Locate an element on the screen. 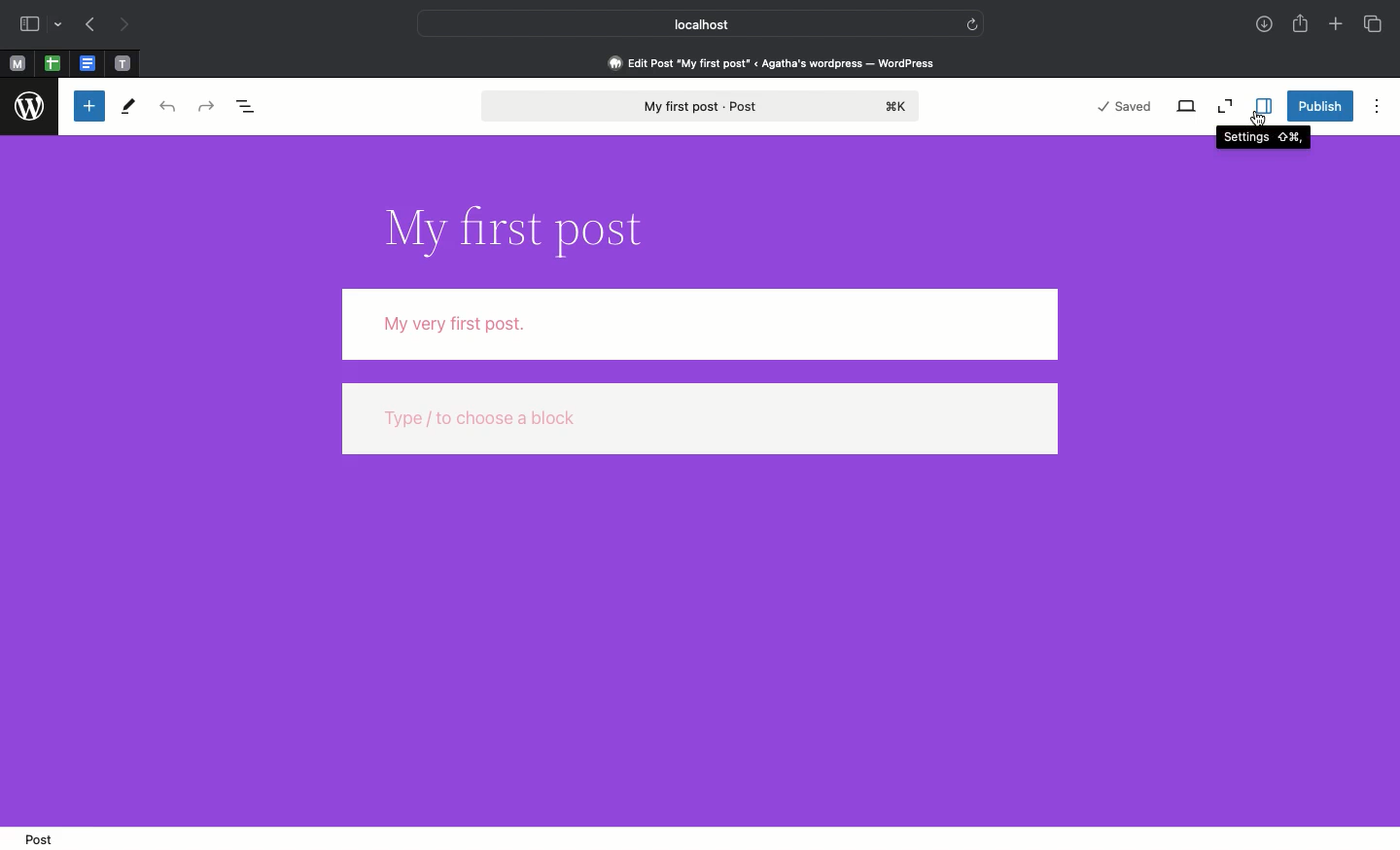 The image size is (1400, 850). Share is located at coordinates (1302, 25).